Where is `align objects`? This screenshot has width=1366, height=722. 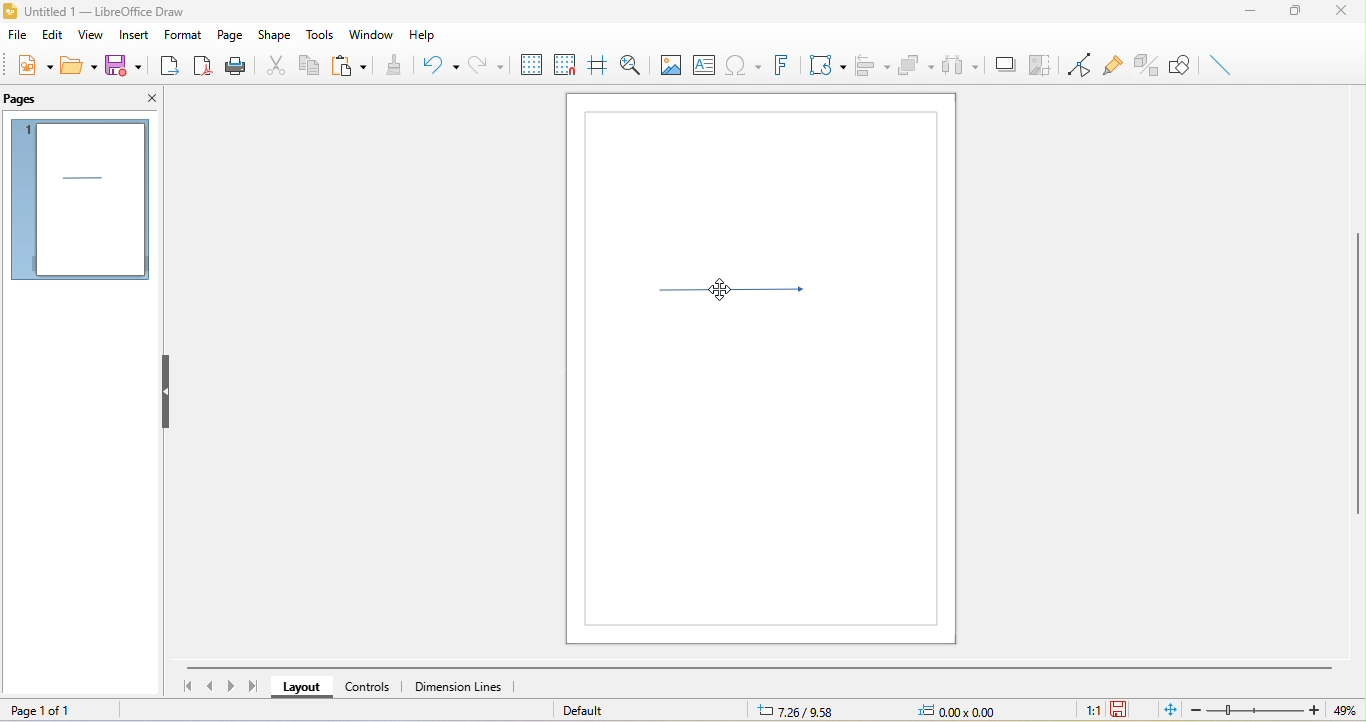 align objects is located at coordinates (874, 66).